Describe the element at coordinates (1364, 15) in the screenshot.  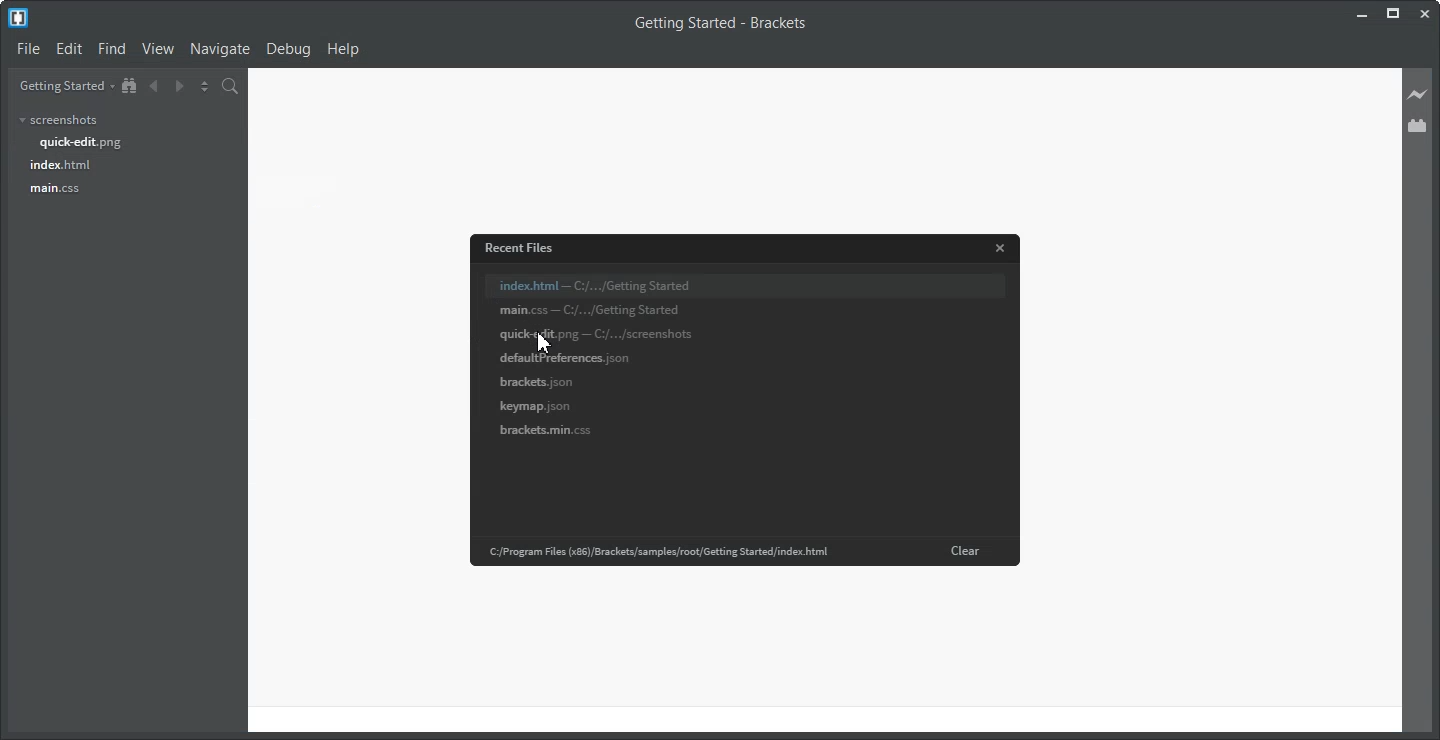
I see `Minimize` at that location.